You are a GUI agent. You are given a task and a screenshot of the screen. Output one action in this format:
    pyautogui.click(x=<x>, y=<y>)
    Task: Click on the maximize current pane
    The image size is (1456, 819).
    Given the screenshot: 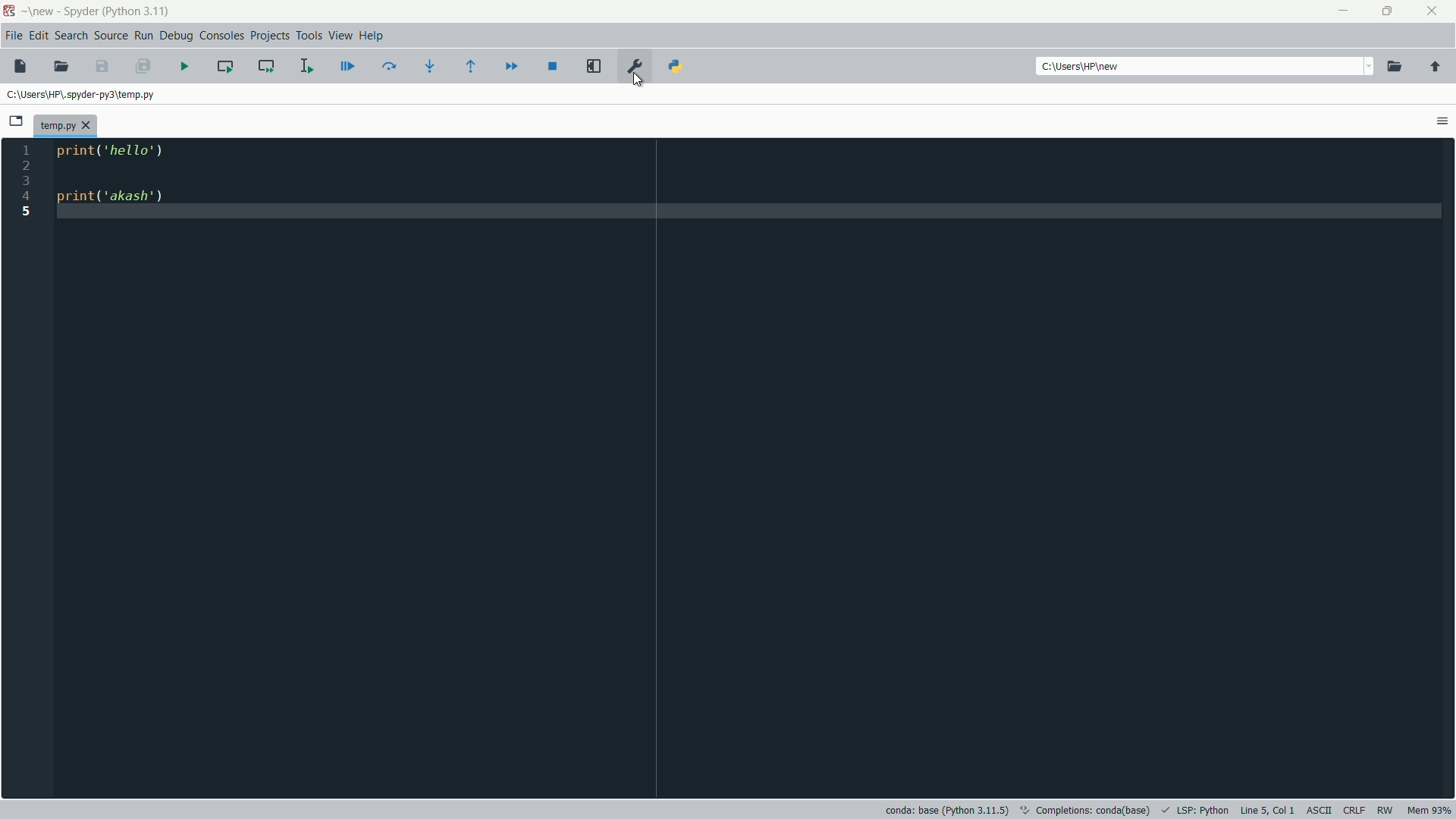 What is the action you would take?
    pyautogui.click(x=595, y=67)
    